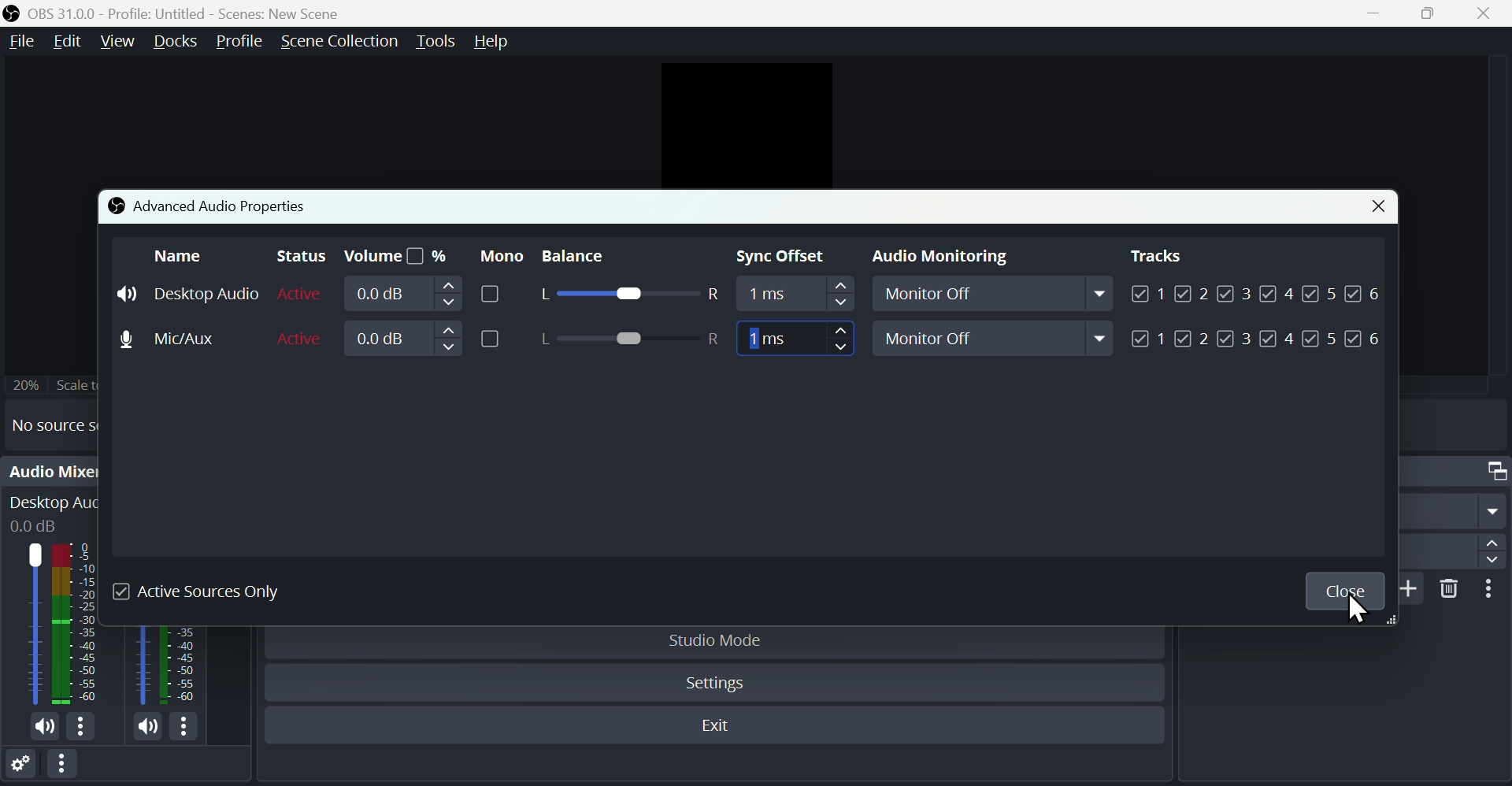 The height and width of the screenshot is (786, 1512). What do you see at coordinates (82, 727) in the screenshot?
I see `More options` at bounding box center [82, 727].